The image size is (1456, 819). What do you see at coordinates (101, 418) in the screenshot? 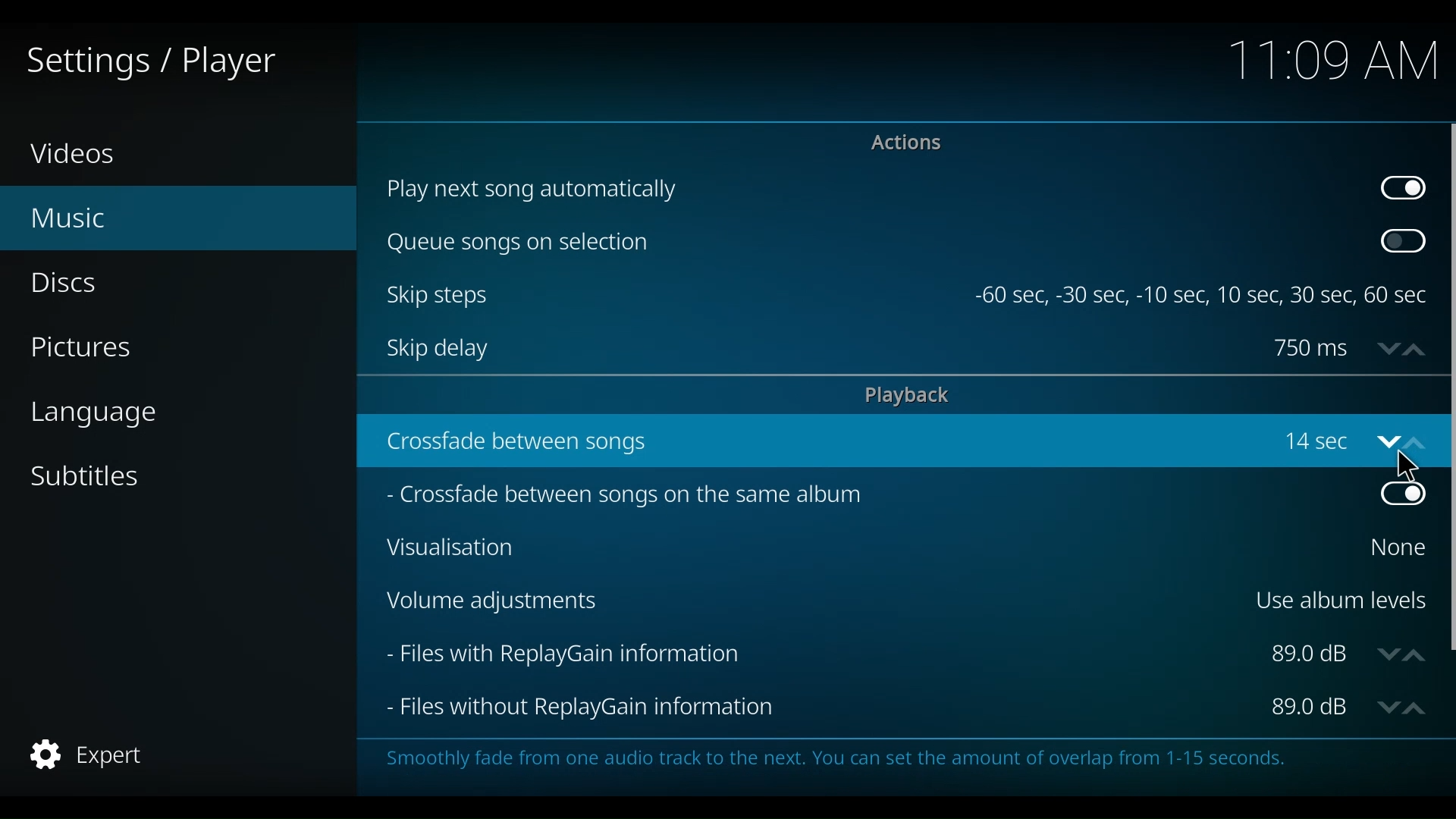
I see `language` at bounding box center [101, 418].